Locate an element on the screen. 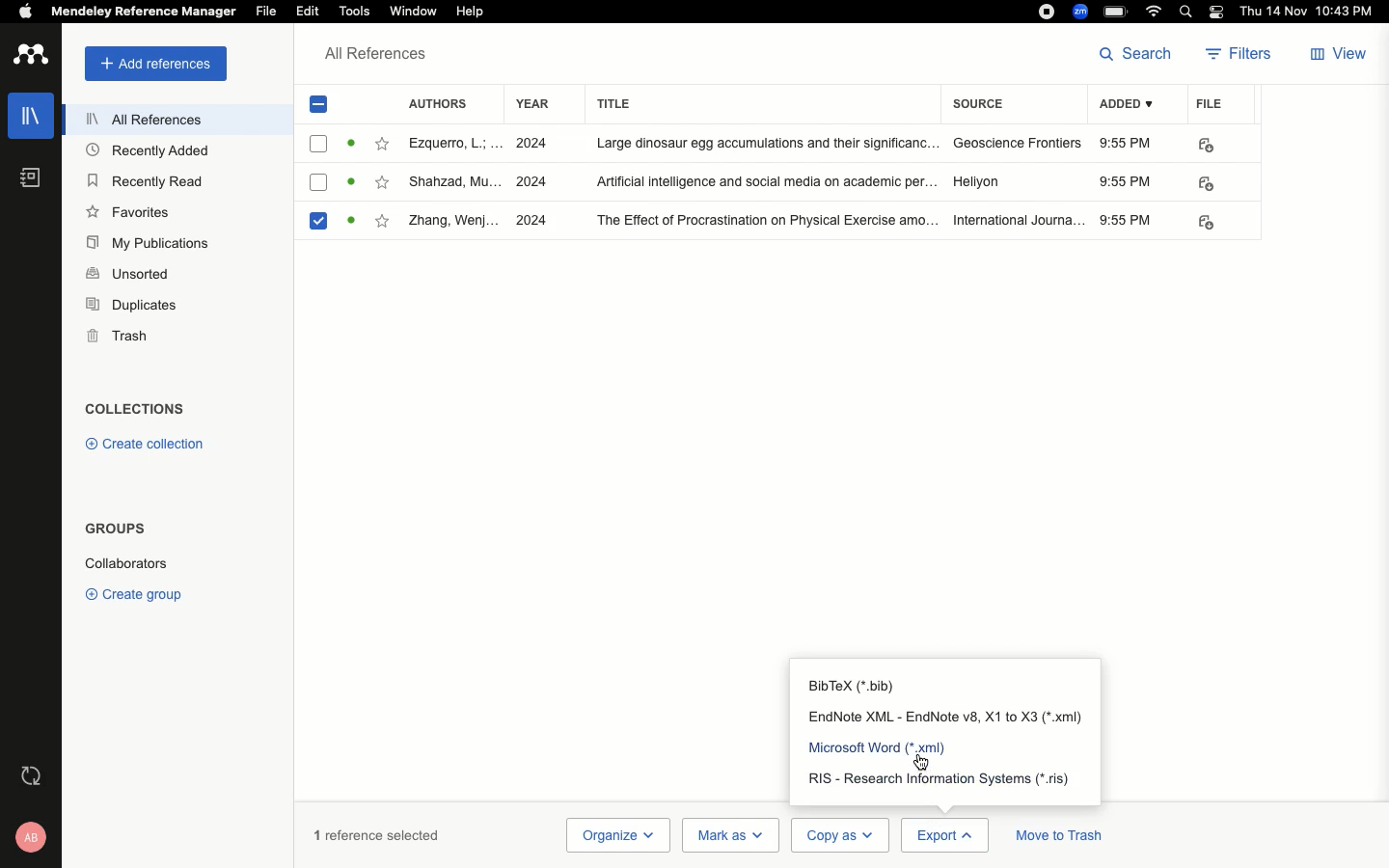 The height and width of the screenshot is (868, 1389). Internet is located at coordinates (1154, 12).